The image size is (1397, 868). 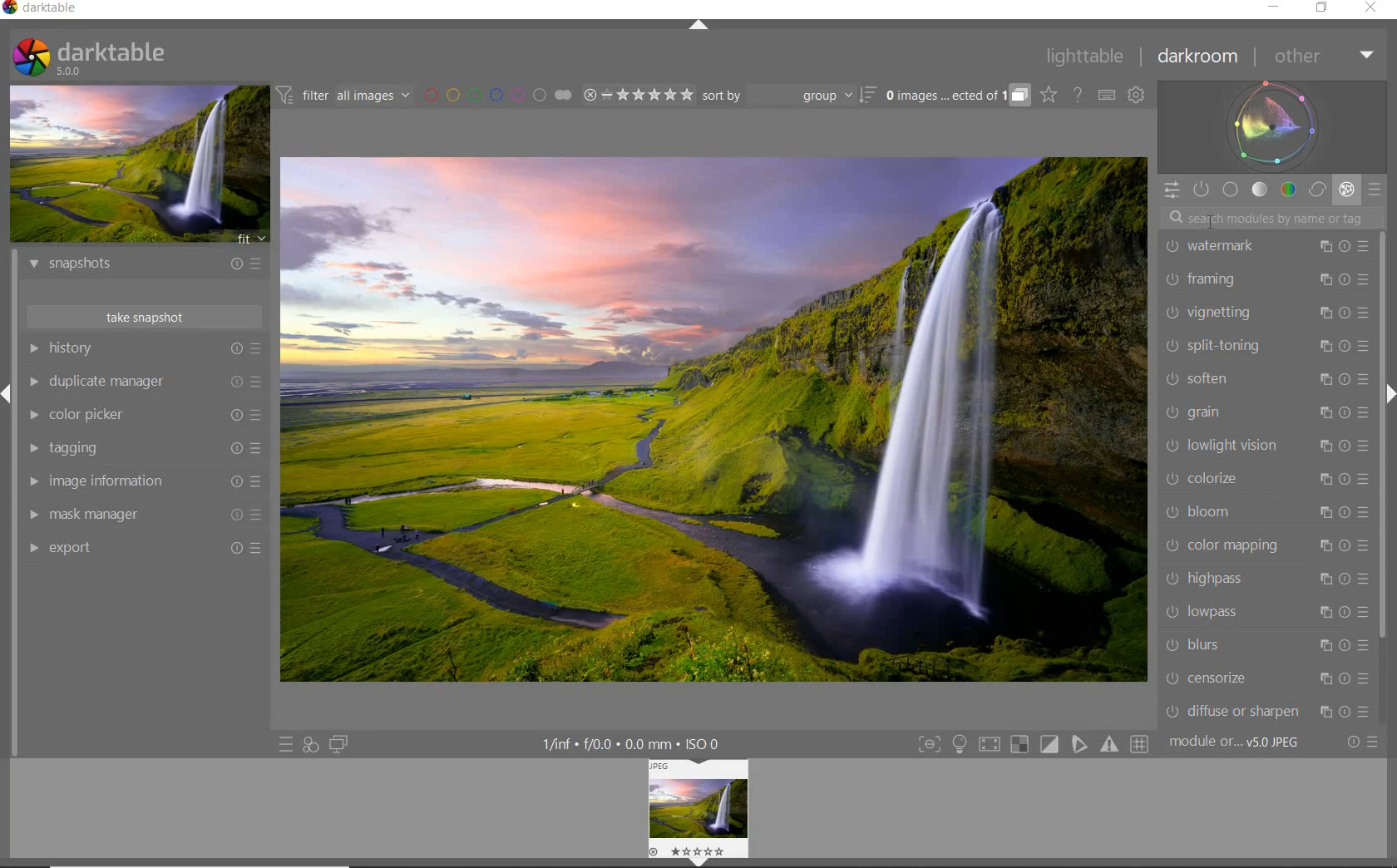 What do you see at coordinates (1202, 190) in the screenshot?
I see `SHOW ONLY ACTIVE MODULES` at bounding box center [1202, 190].